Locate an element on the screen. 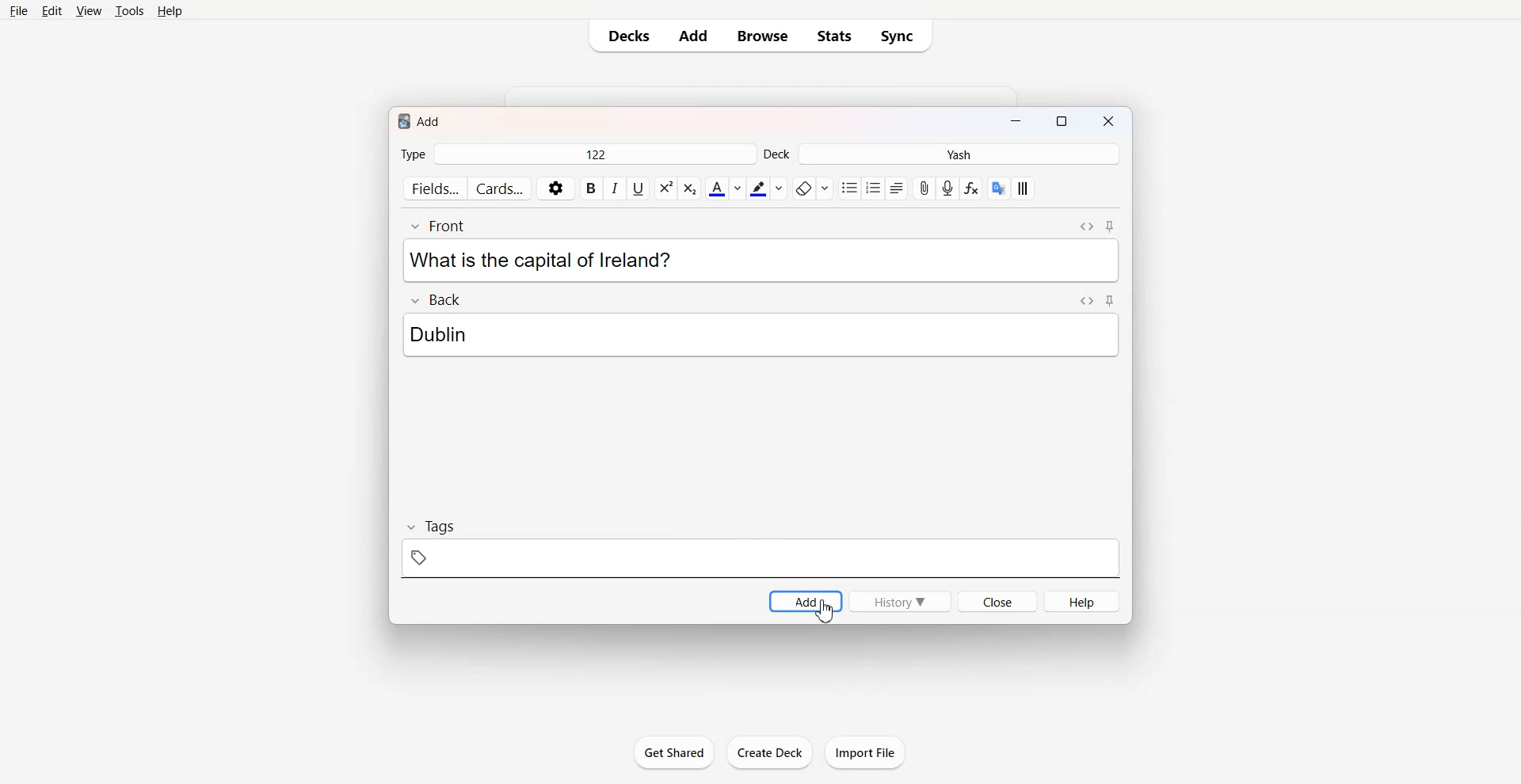 The height and width of the screenshot is (784, 1521). View is located at coordinates (89, 12).